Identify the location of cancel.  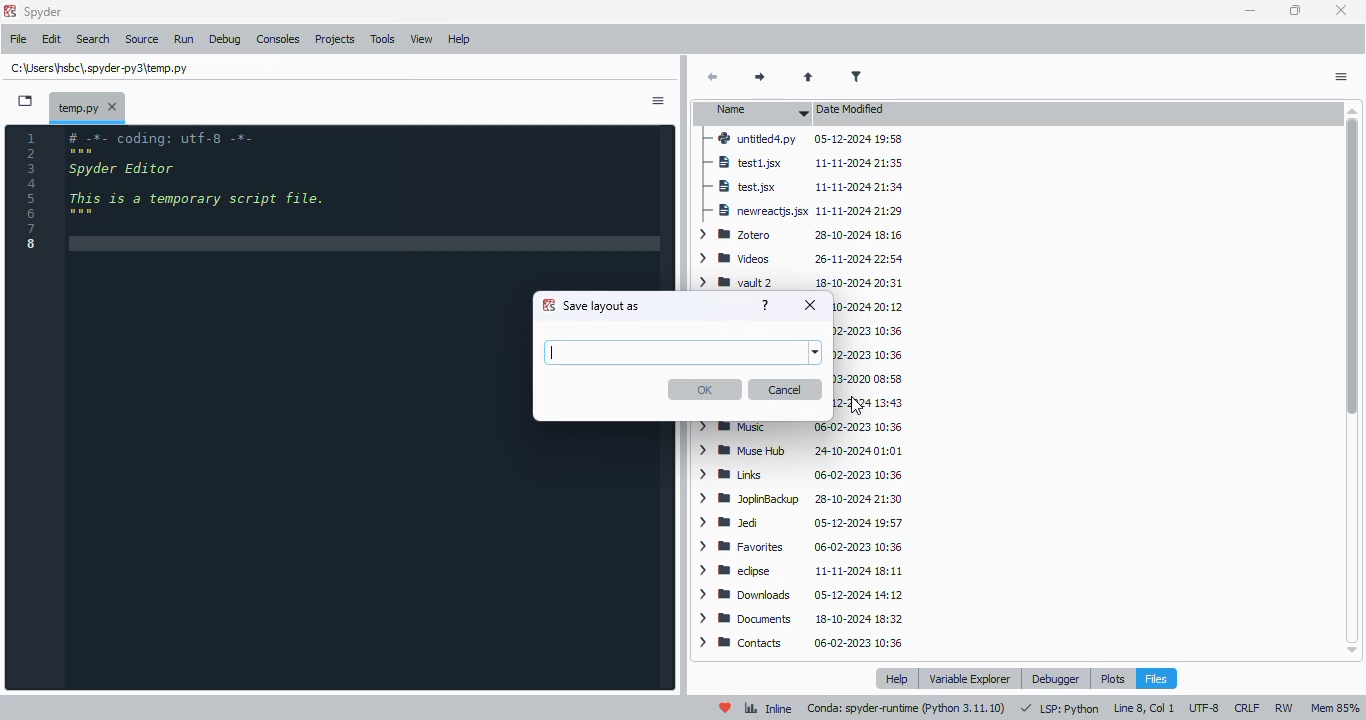
(785, 389).